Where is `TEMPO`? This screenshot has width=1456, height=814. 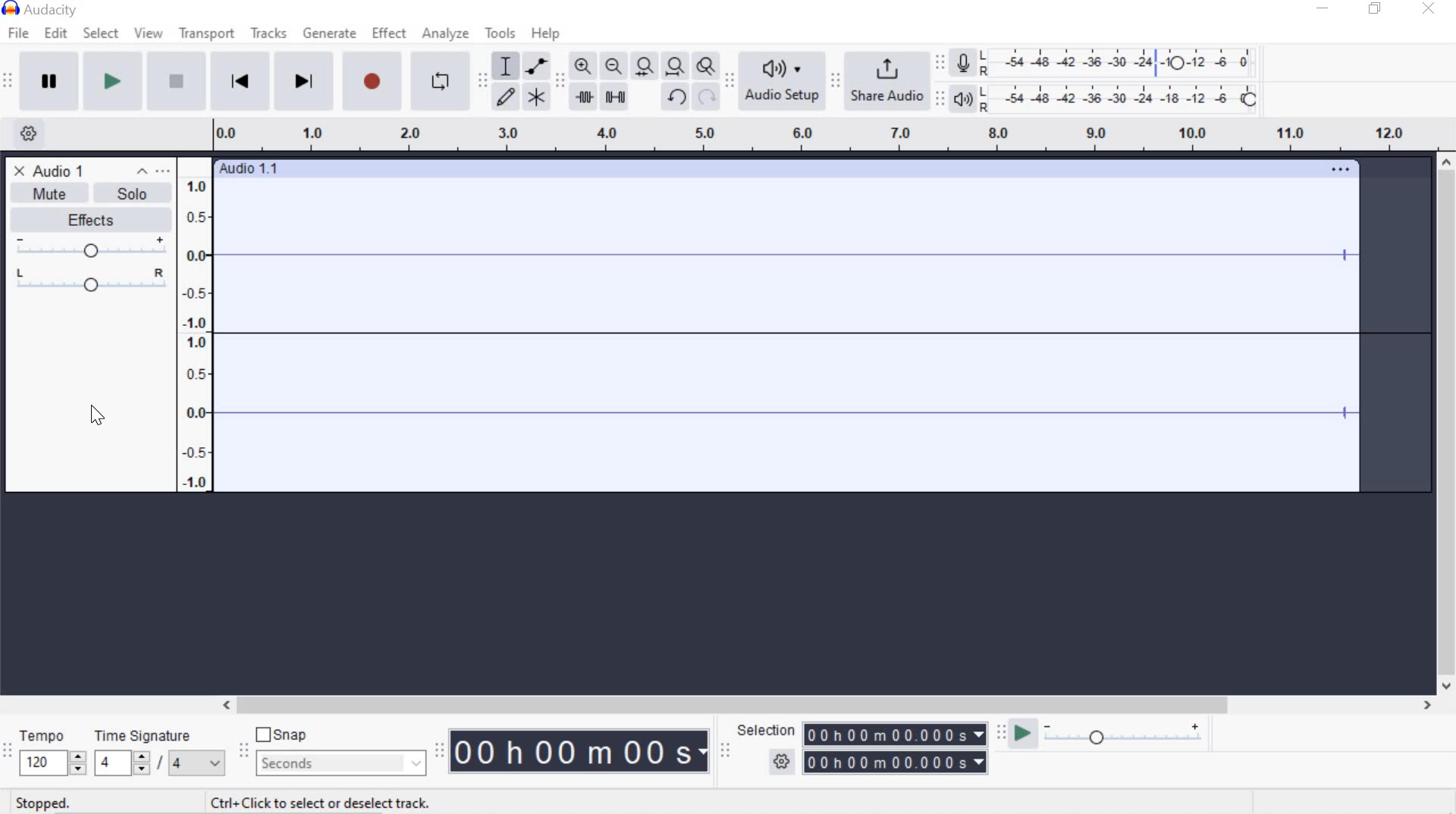
TEMPO is located at coordinates (50, 752).